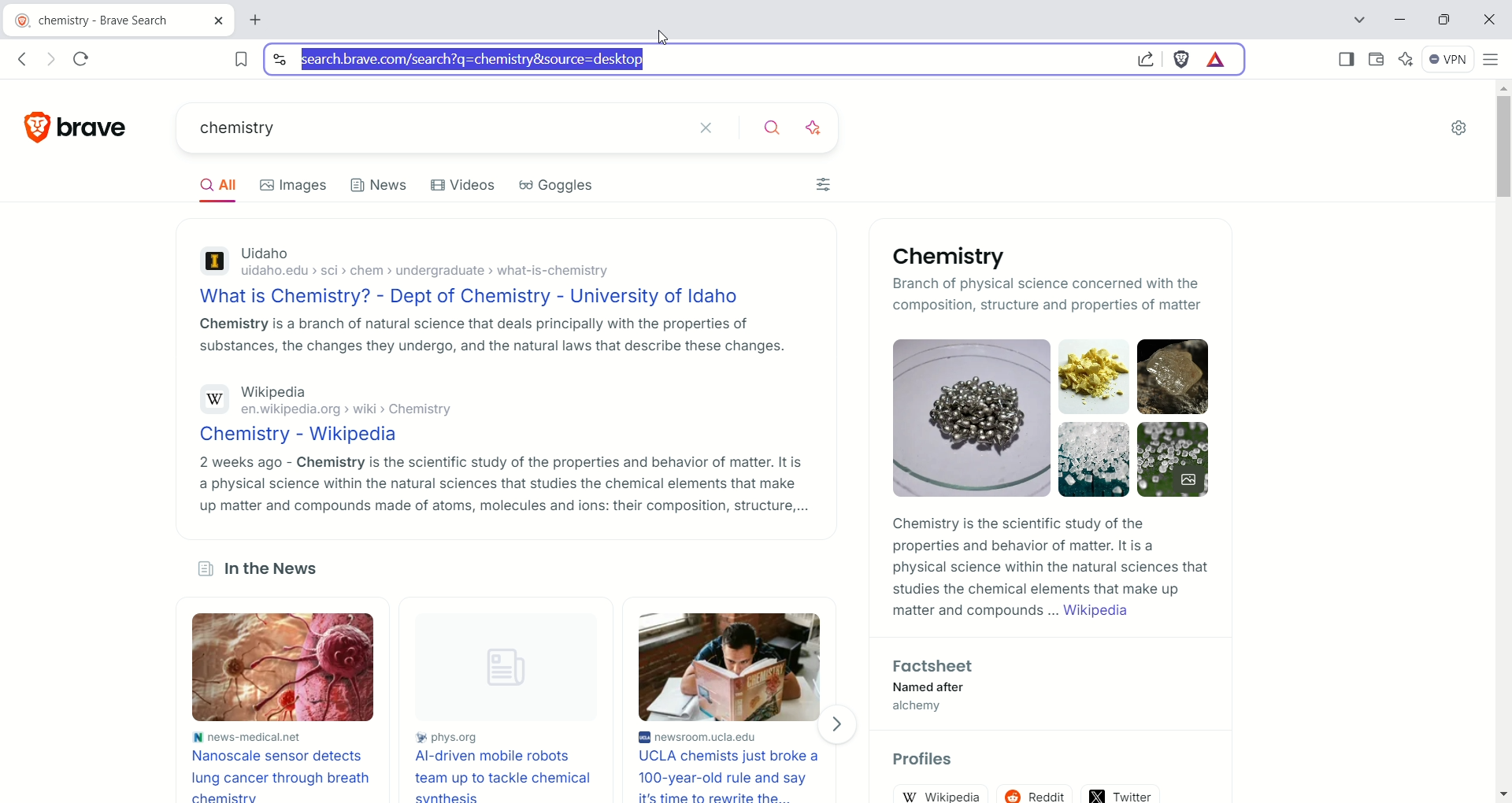 The height and width of the screenshot is (803, 1512). Describe the element at coordinates (1218, 60) in the screenshot. I see `rewards` at that location.